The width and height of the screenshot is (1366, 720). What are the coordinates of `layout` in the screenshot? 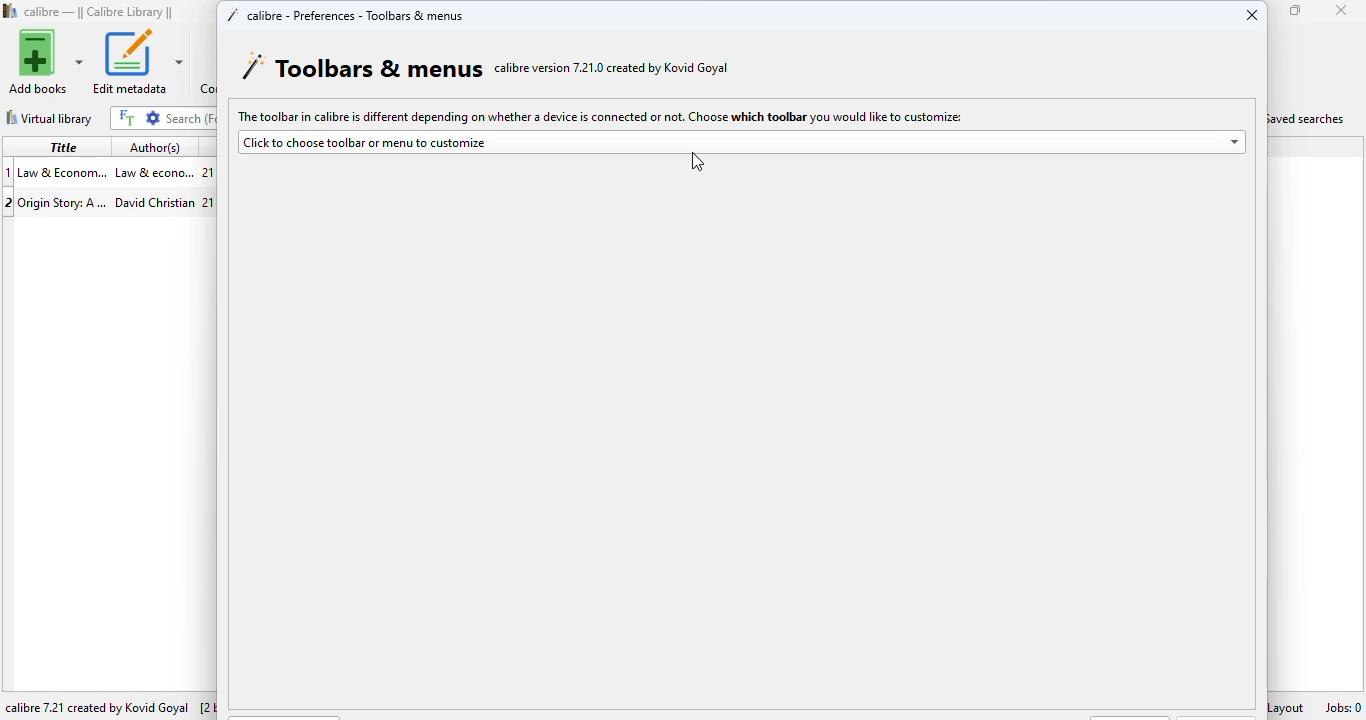 It's located at (1289, 706).